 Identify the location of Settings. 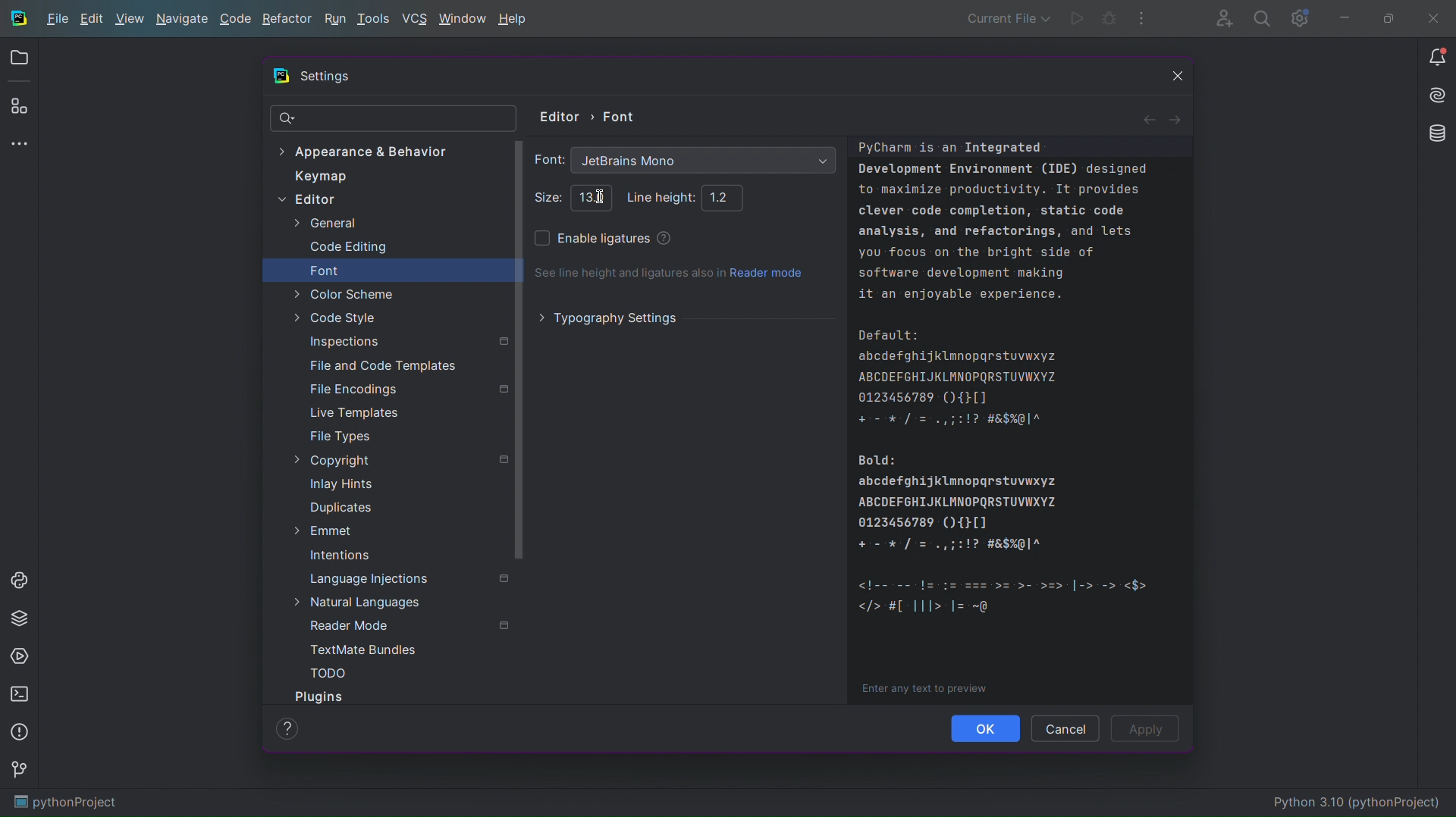
(326, 78).